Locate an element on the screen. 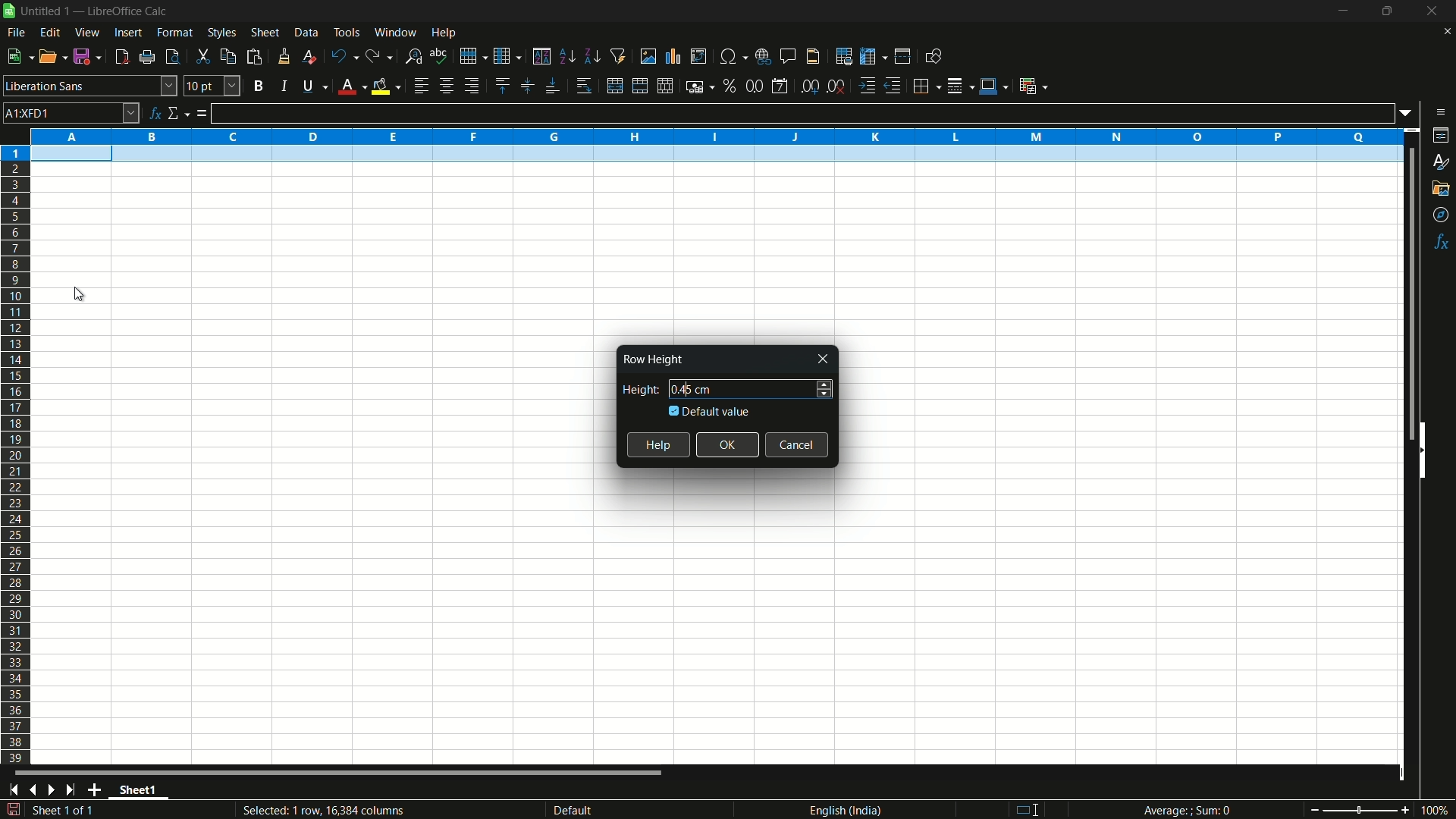 The height and width of the screenshot is (819, 1456). cut is located at coordinates (202, 56).